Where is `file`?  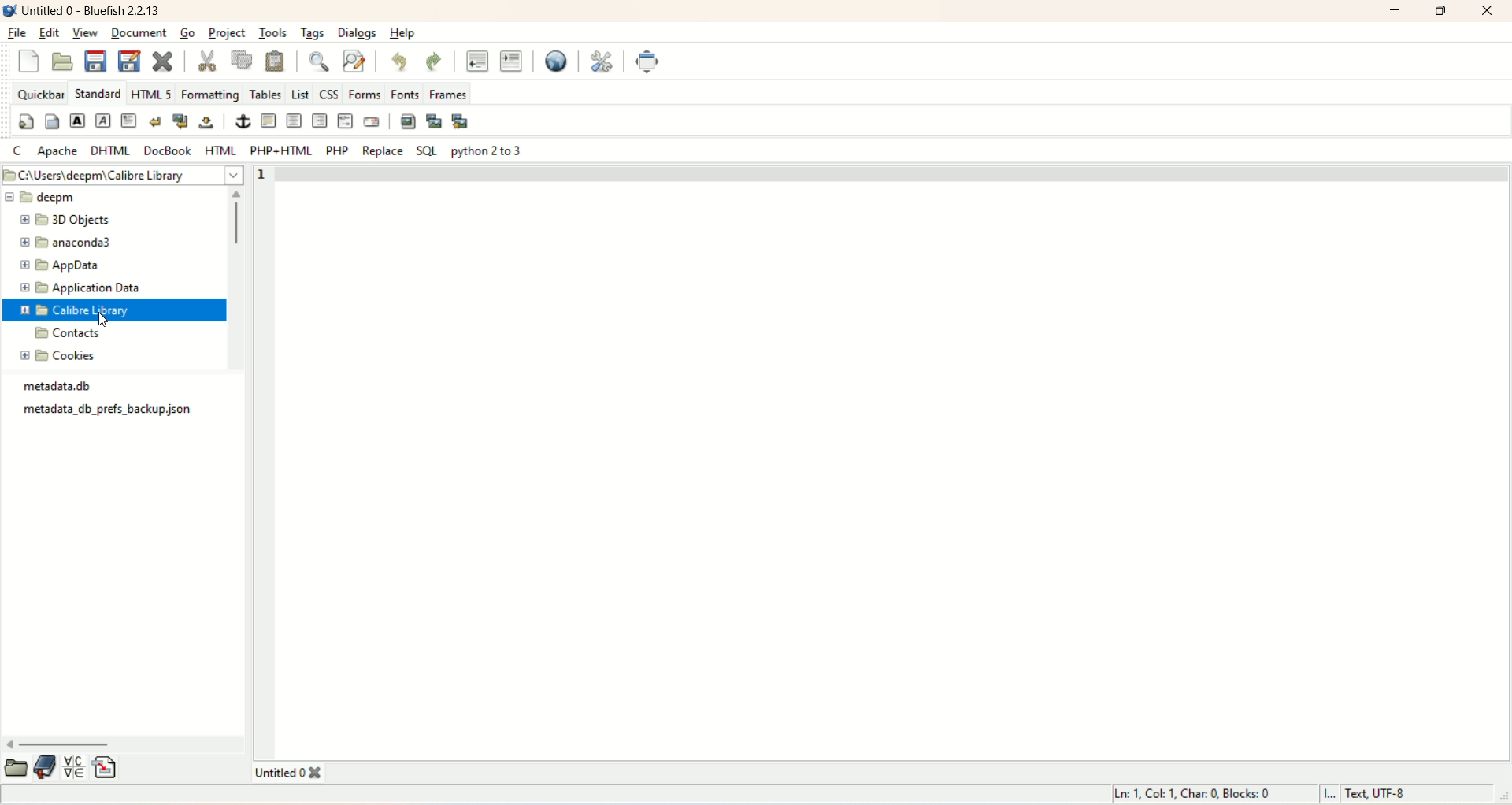 file is located at coordinates (19, 30).